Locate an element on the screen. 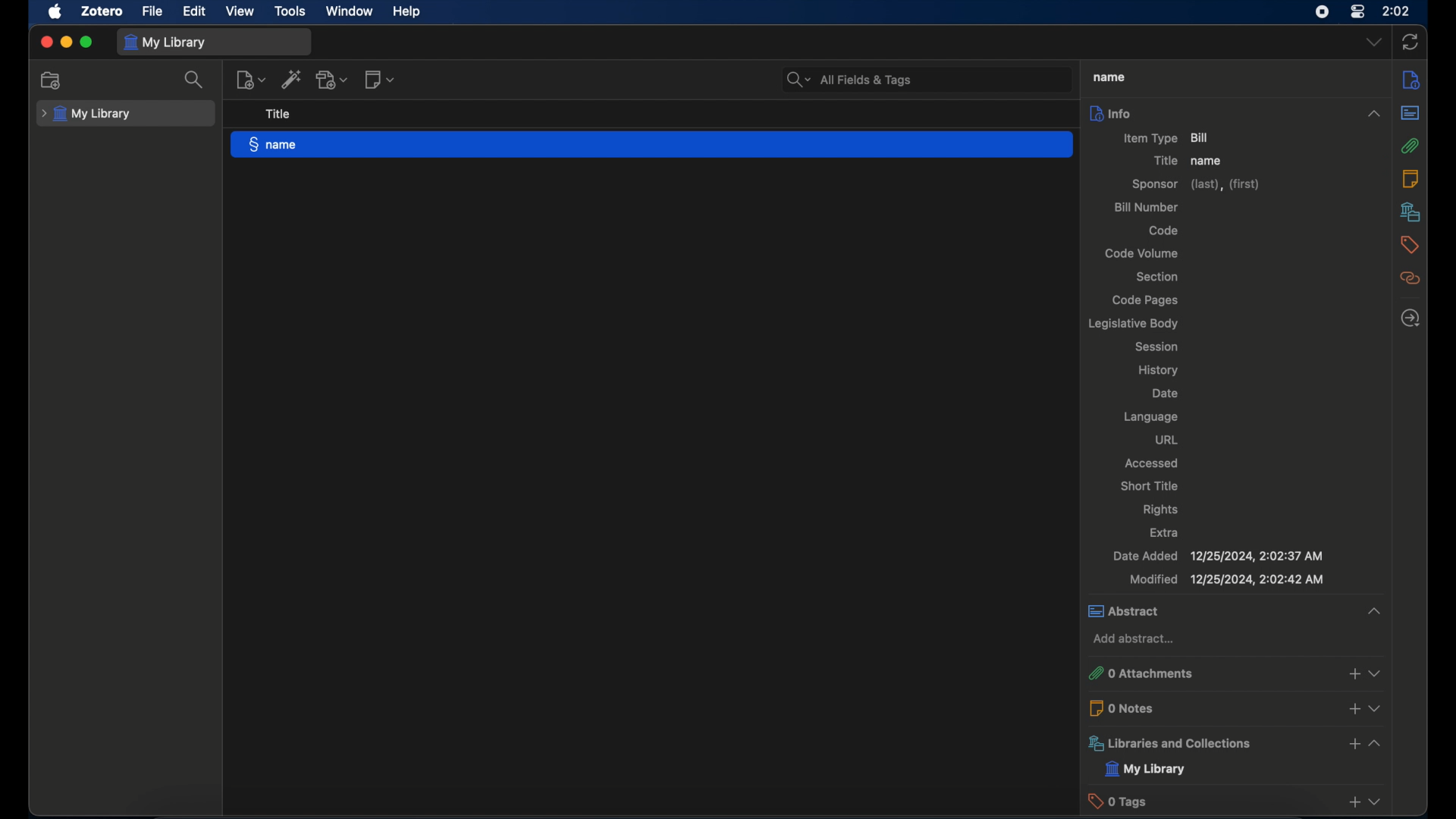 The image size is (1456, 819). code is located at coordinates (1164, 230).